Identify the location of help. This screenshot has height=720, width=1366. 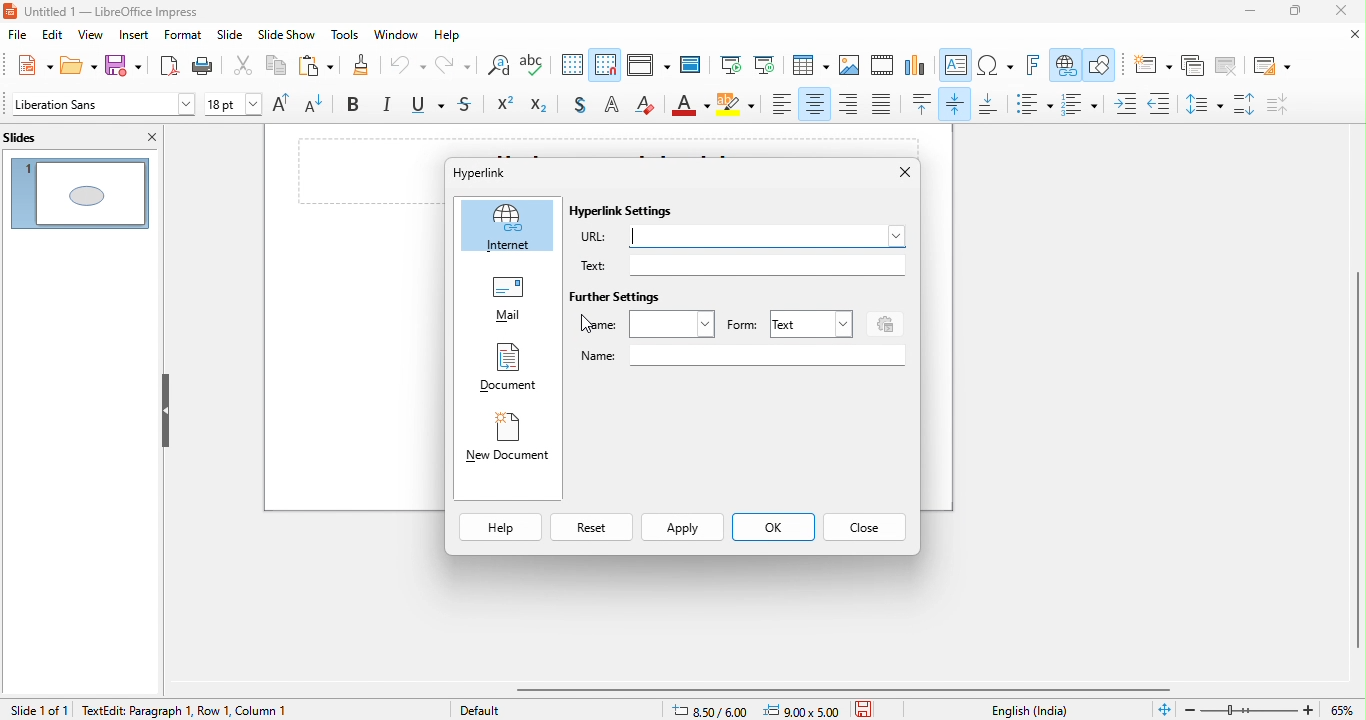
(501, 528).